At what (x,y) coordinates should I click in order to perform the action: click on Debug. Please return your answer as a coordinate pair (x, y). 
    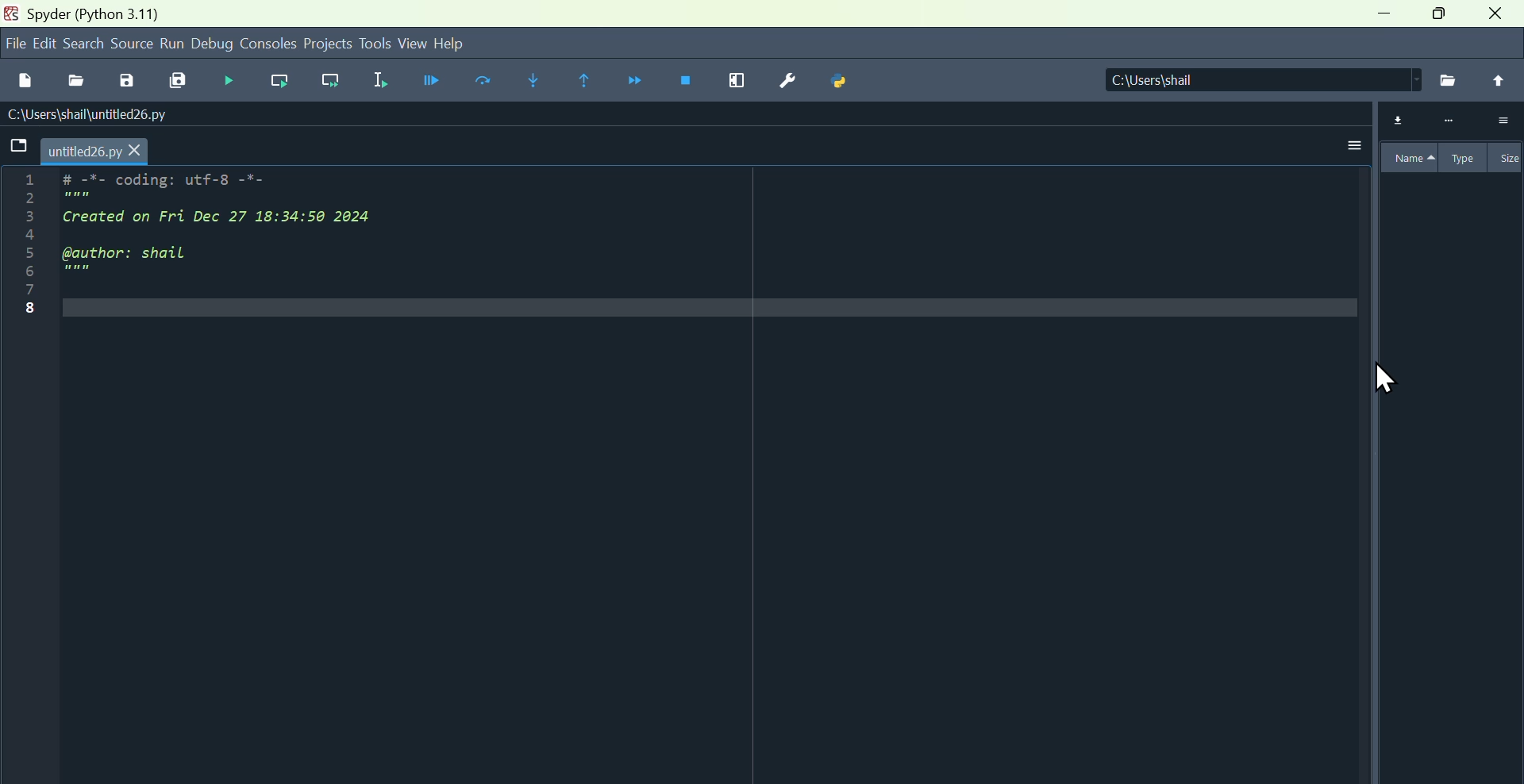
    Looking at the image, I should click on (214, 44).